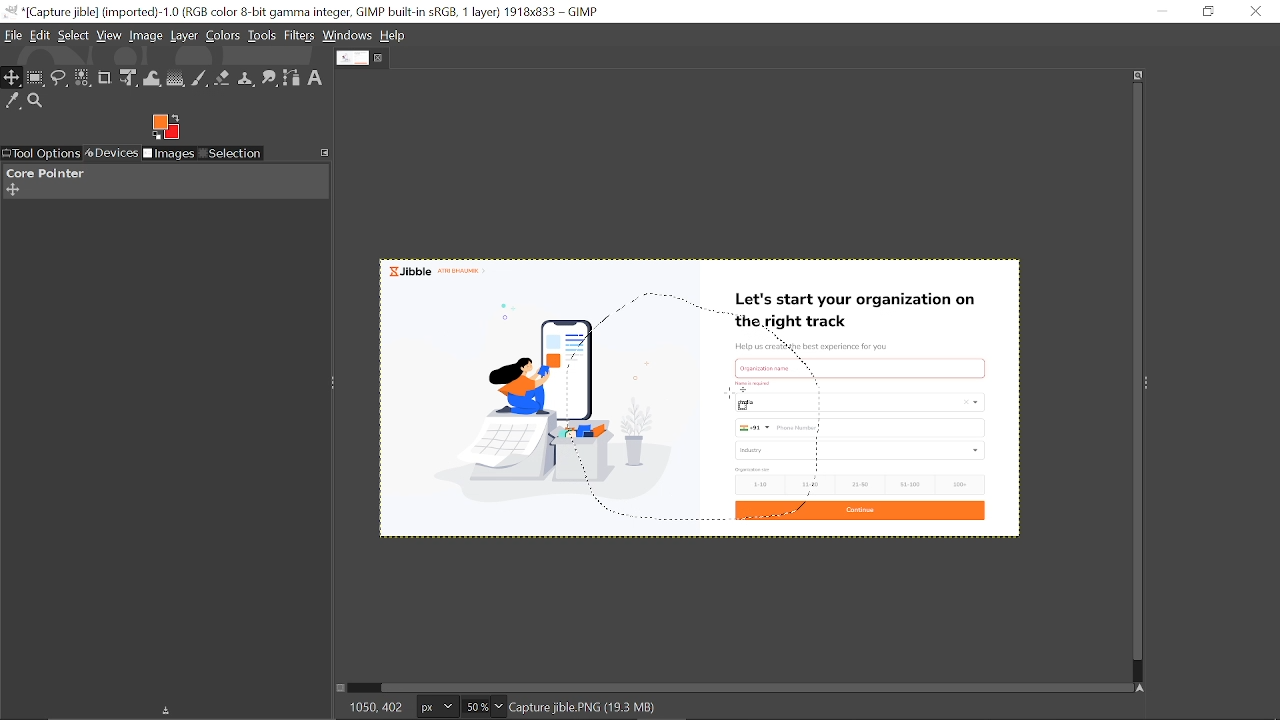 The image size is (1280, 720). What do you see at coordinates (300, 36) in the screenshot?
I see `Filters` at bounding box center [300, 36].